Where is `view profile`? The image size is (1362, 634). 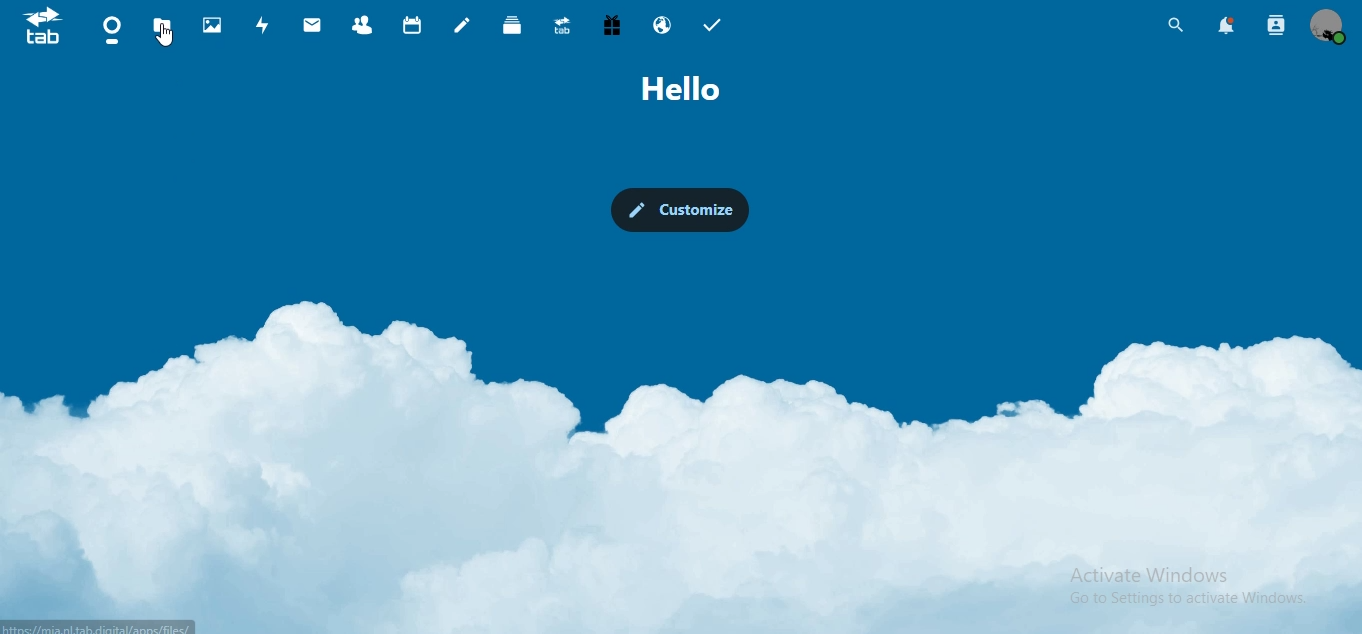
view profile is located at coordinates (1327, 26).